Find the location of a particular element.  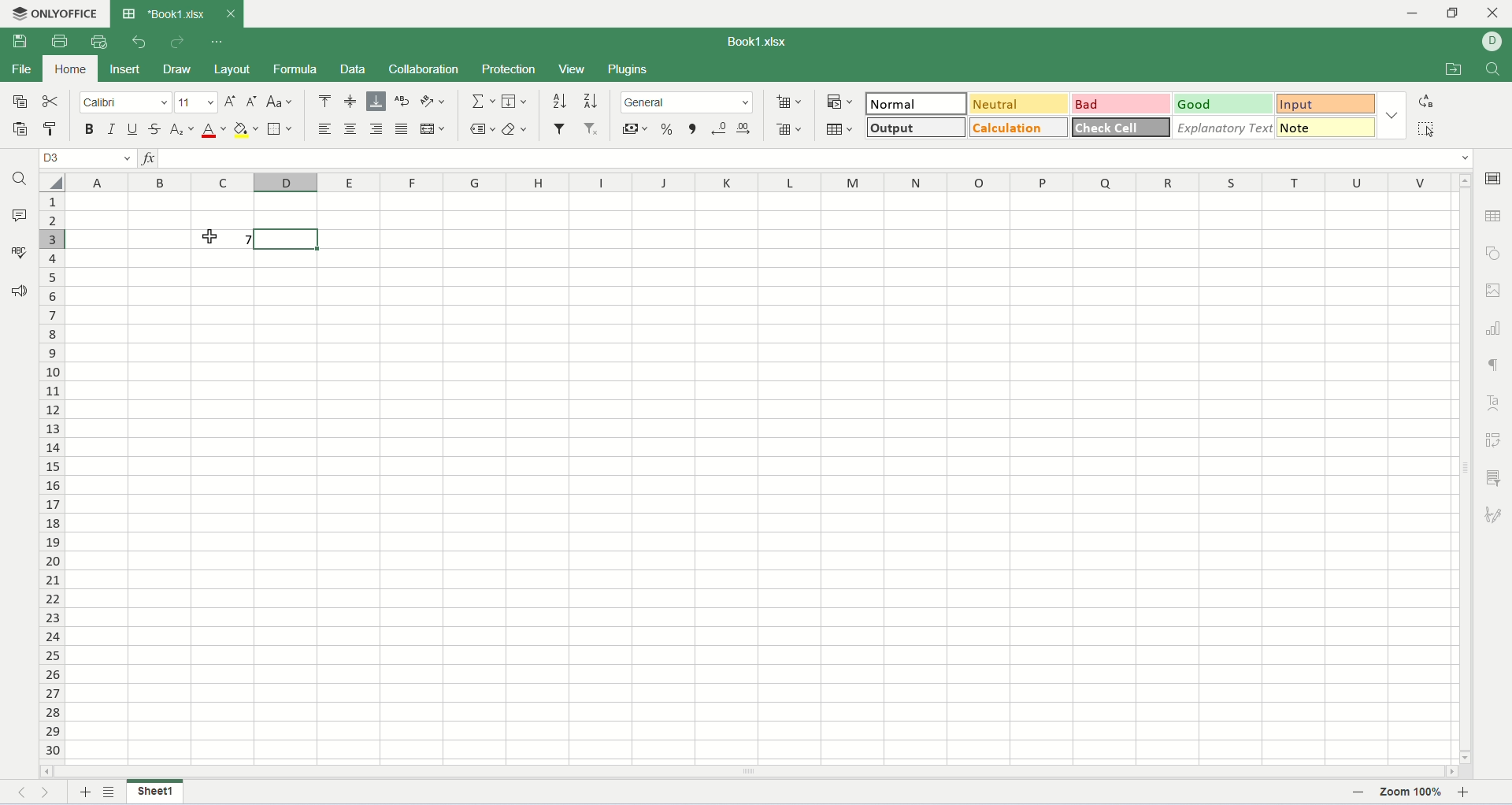

feedback and support is located at coordinates (18, 288).